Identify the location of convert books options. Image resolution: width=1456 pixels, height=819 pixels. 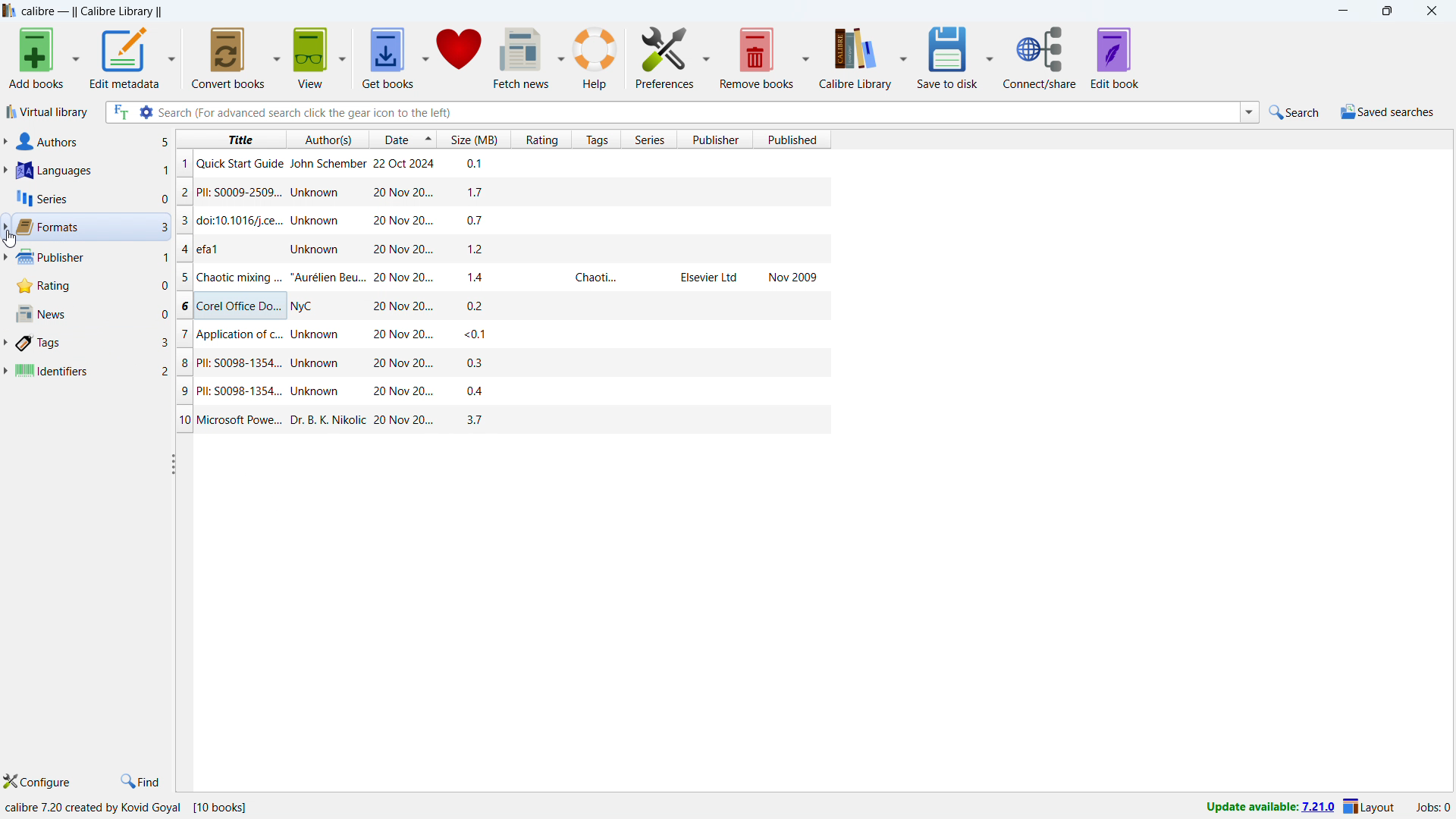
(278, 58).